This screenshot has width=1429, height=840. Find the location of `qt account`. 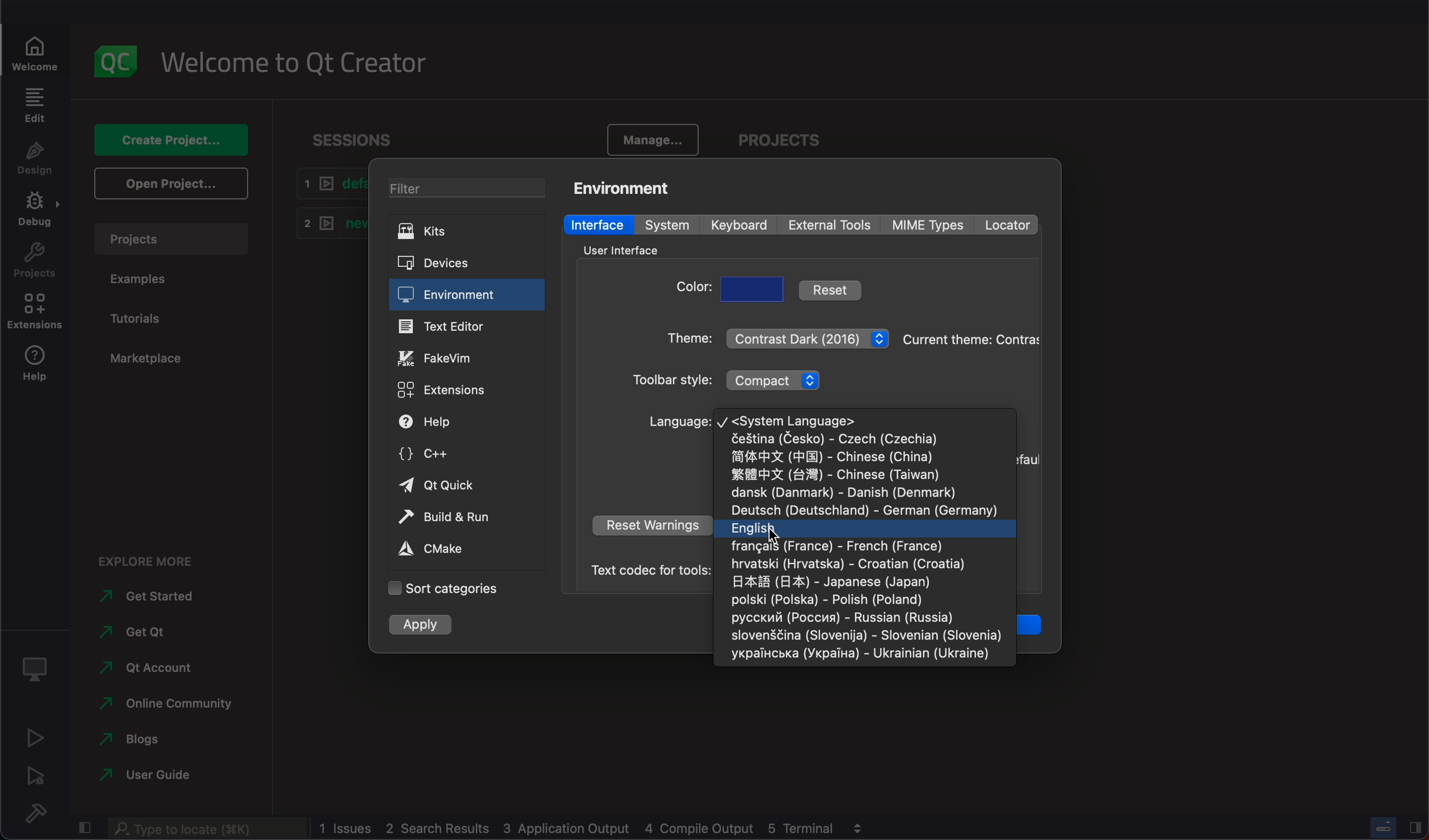

qt account is located at coordinates (151, 671).